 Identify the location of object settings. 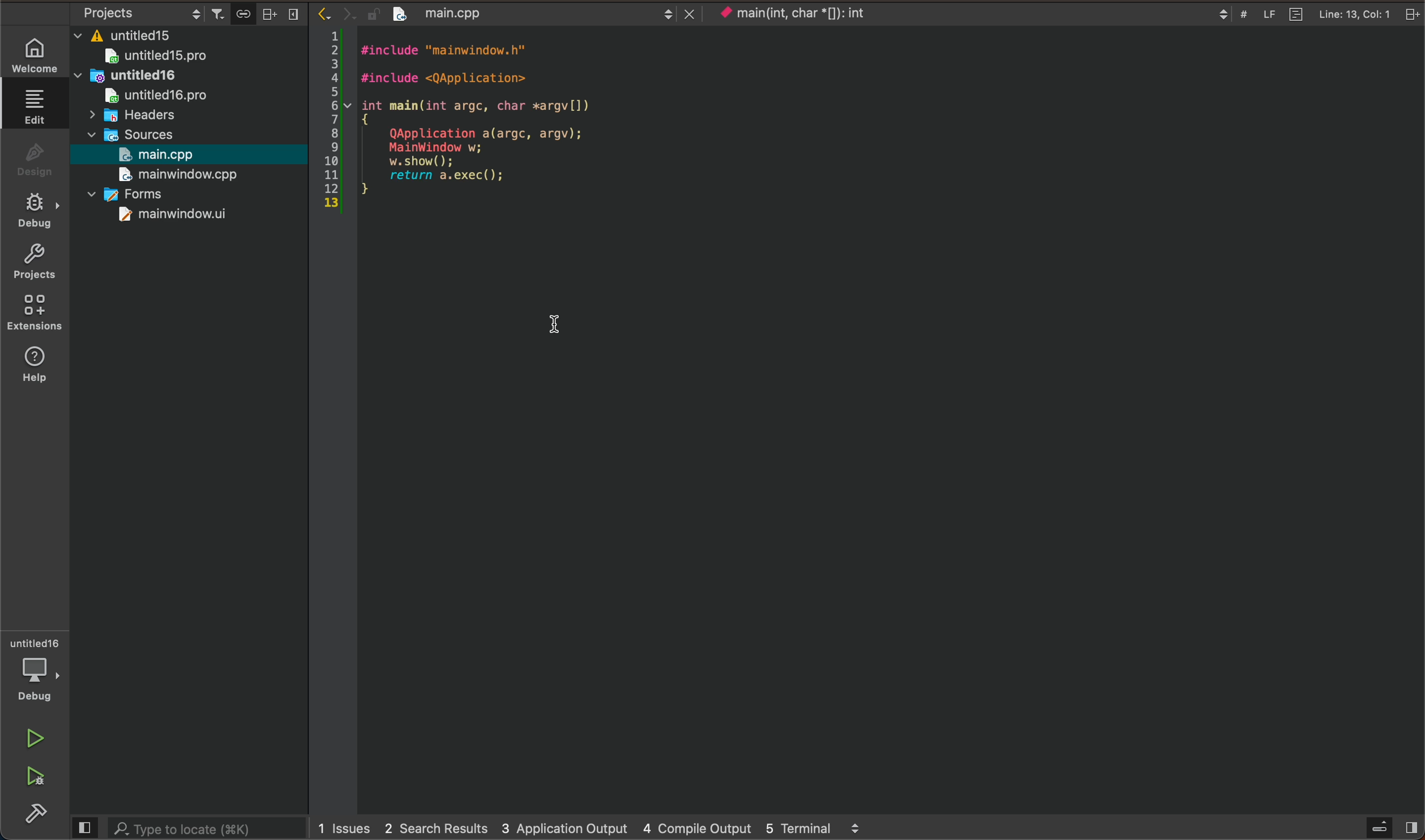
(140, 11).